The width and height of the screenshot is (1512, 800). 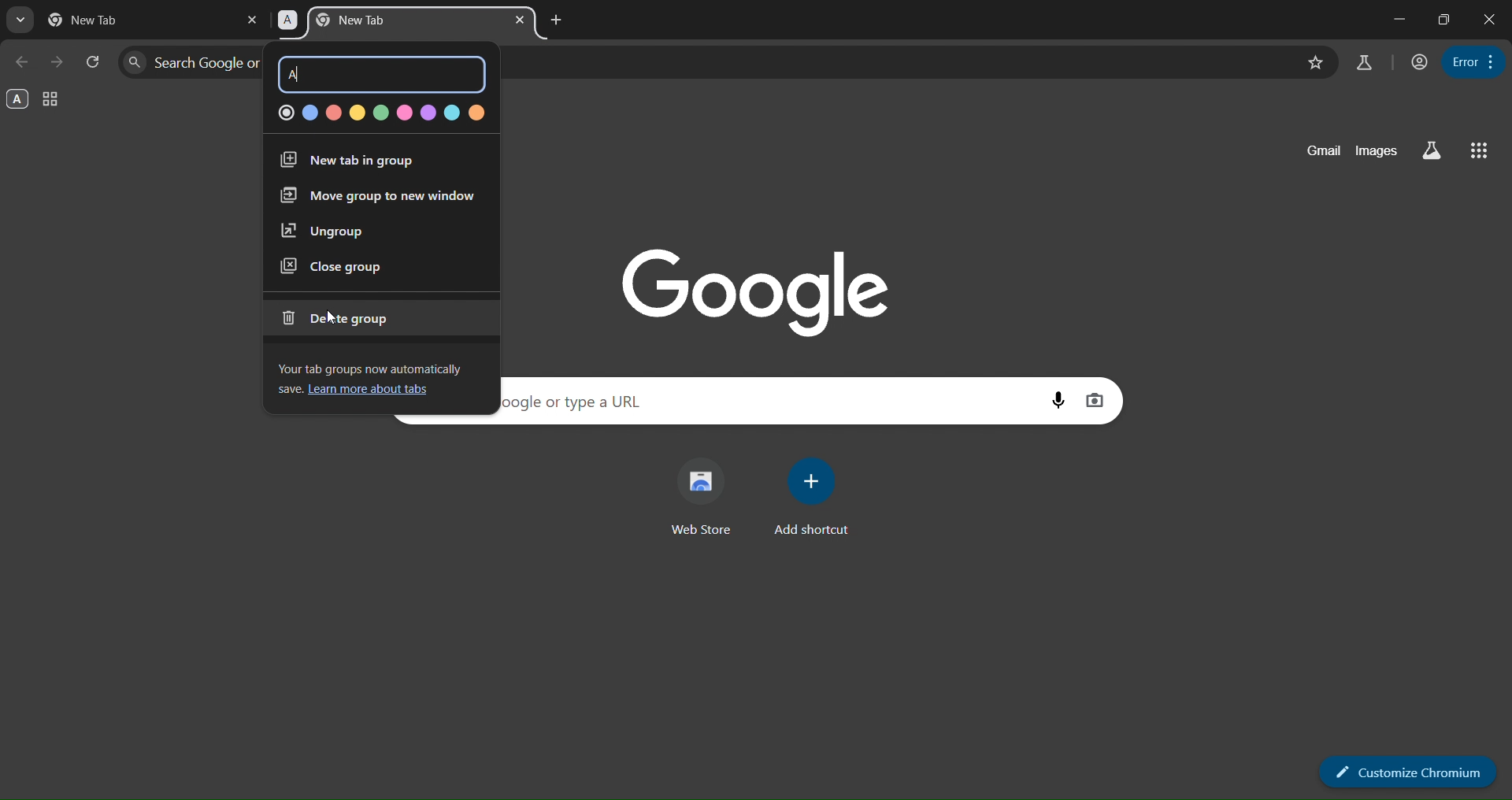 I want to click on customize chromium, so click(x=1409, y=770).